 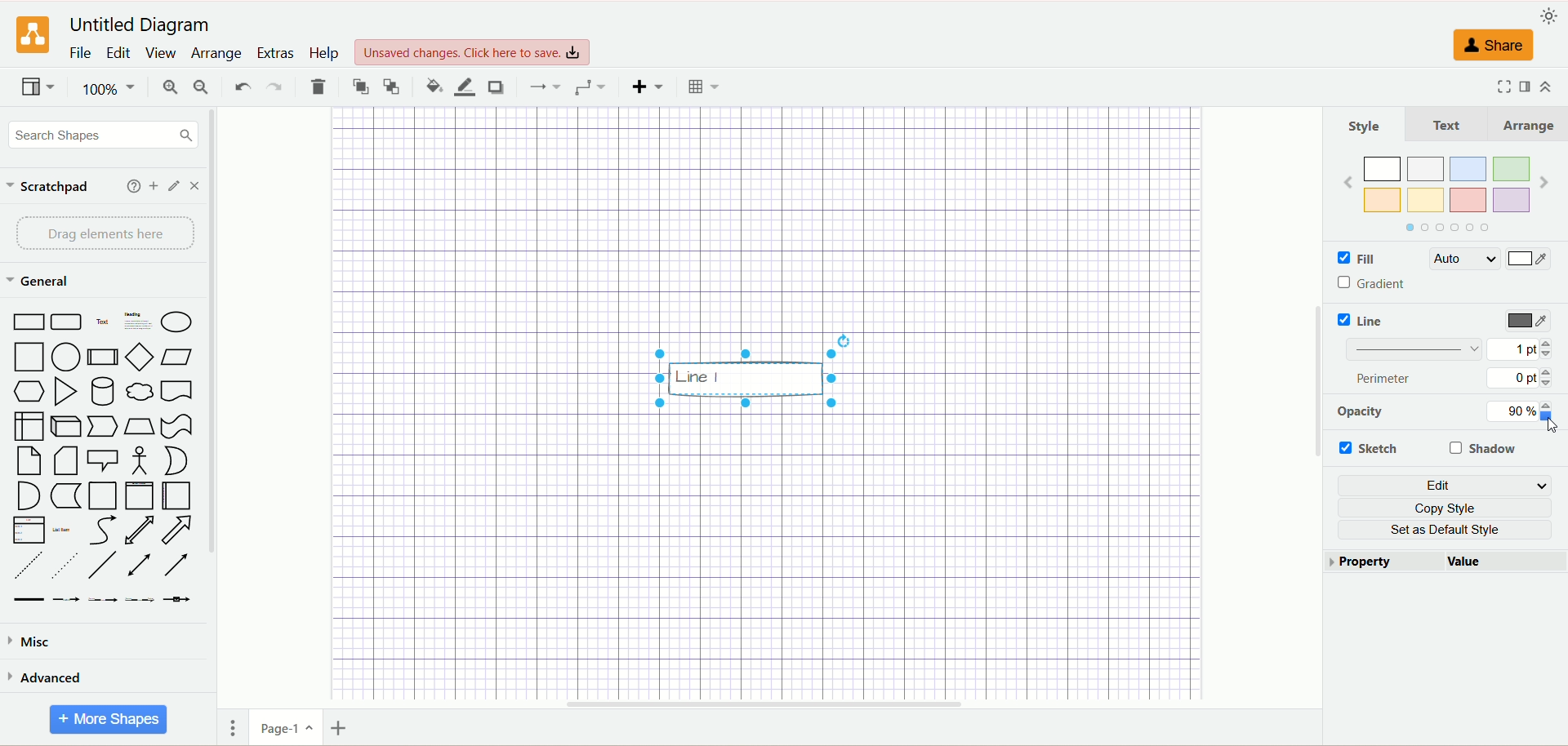 What do you see at coordinates (1445, 530) in the screenshot?
I see `set as default style` at bounding box center [1445, 530].